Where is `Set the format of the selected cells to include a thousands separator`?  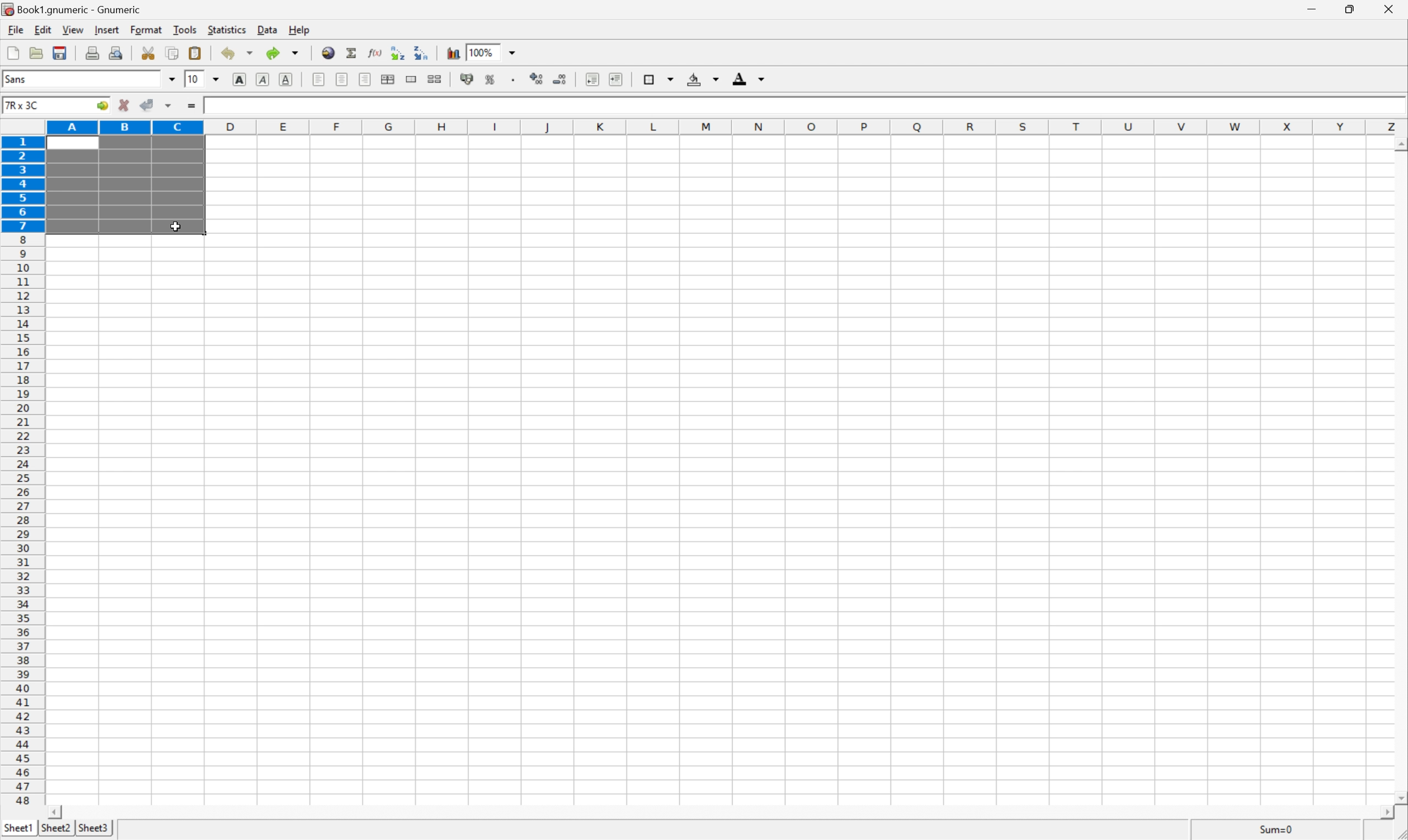 Set the format of the selected cells to include a thousands separator is located at coordinates (511, 79).